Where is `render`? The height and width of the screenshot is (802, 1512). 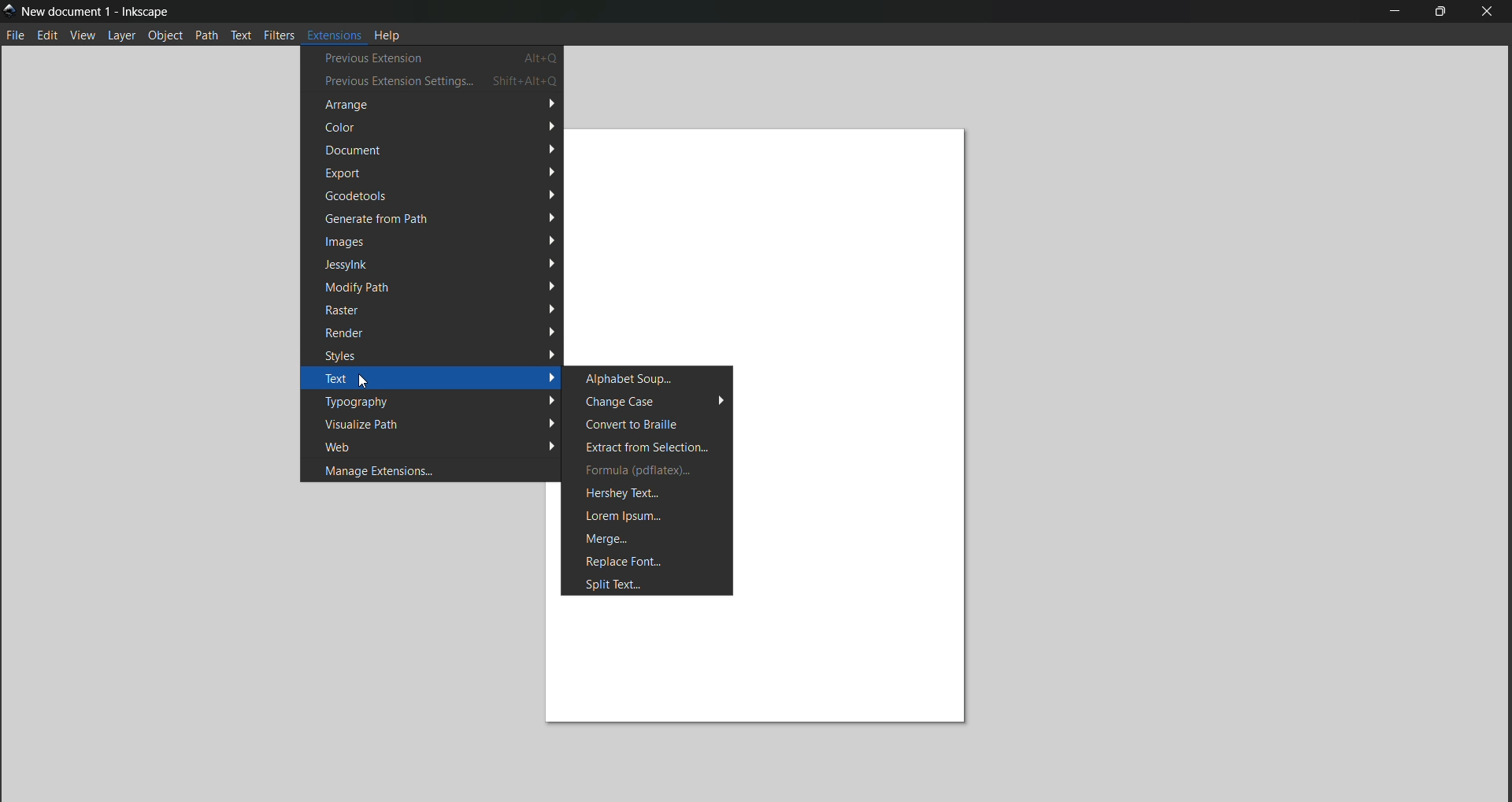
render is located at coordinates (435, 331).